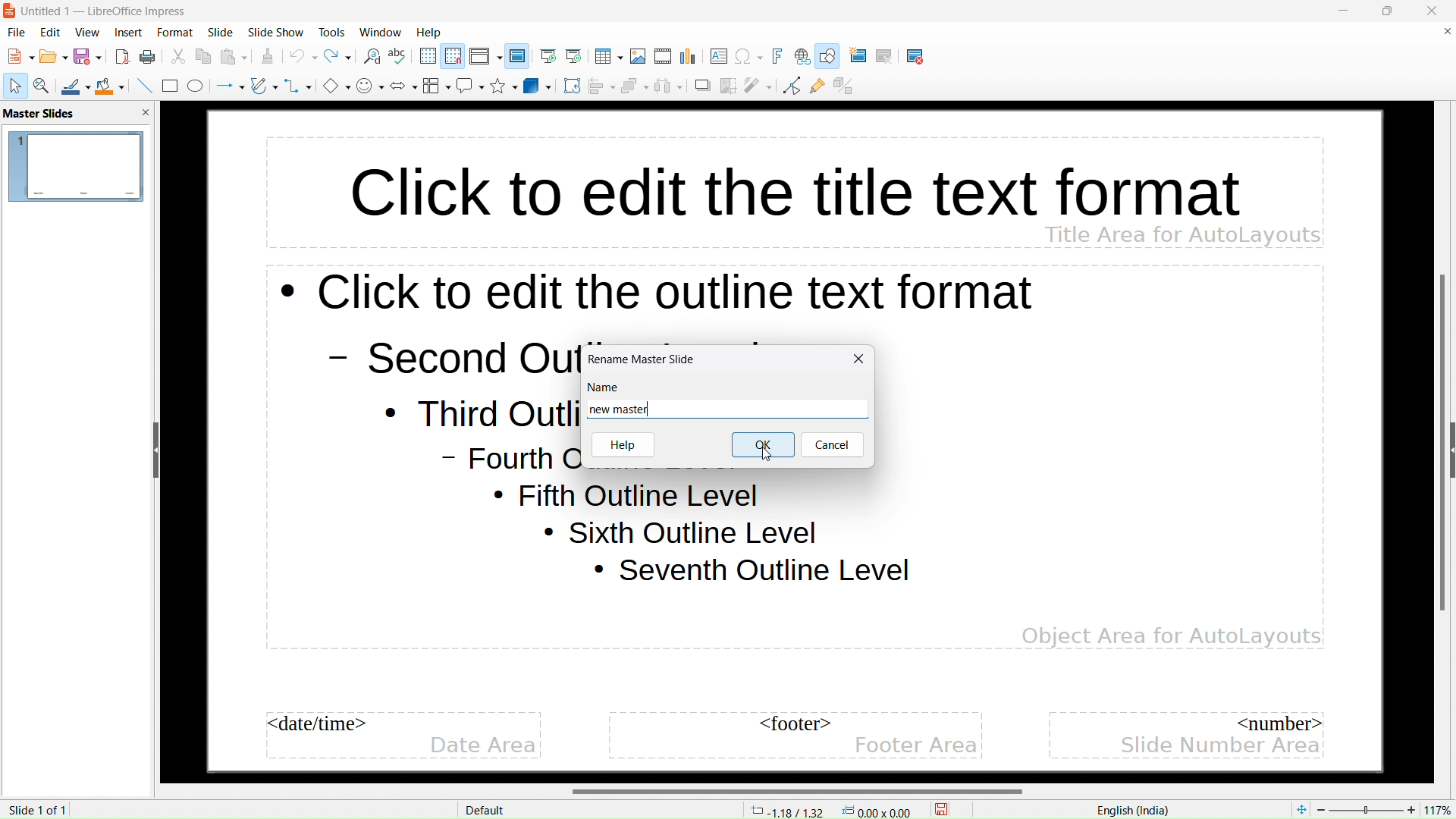 This screenshot has height=819, width=1456. I want to click on maximize, so click(1386, 11).